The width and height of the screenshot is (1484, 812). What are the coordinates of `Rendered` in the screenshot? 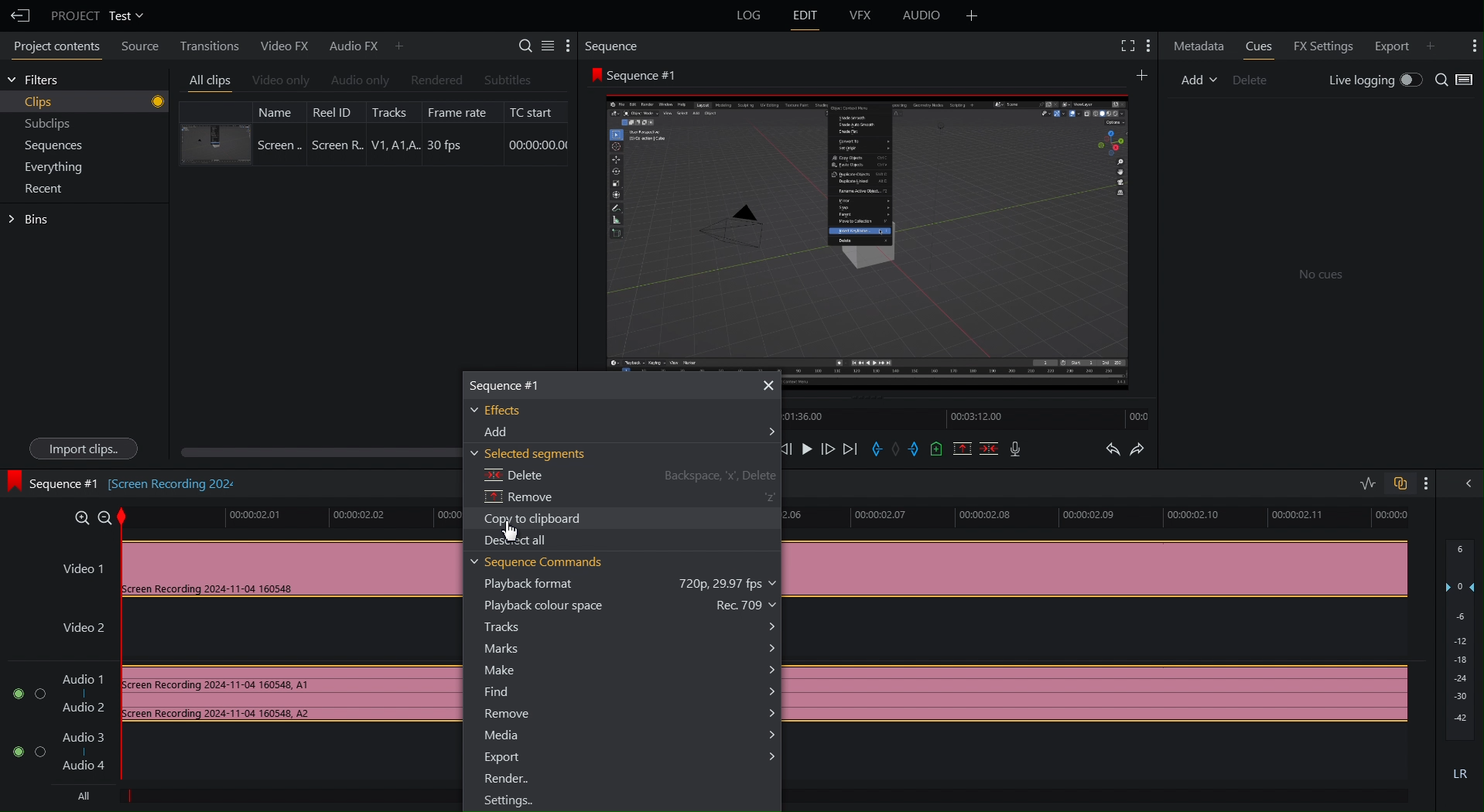 It's located at (433, 80).